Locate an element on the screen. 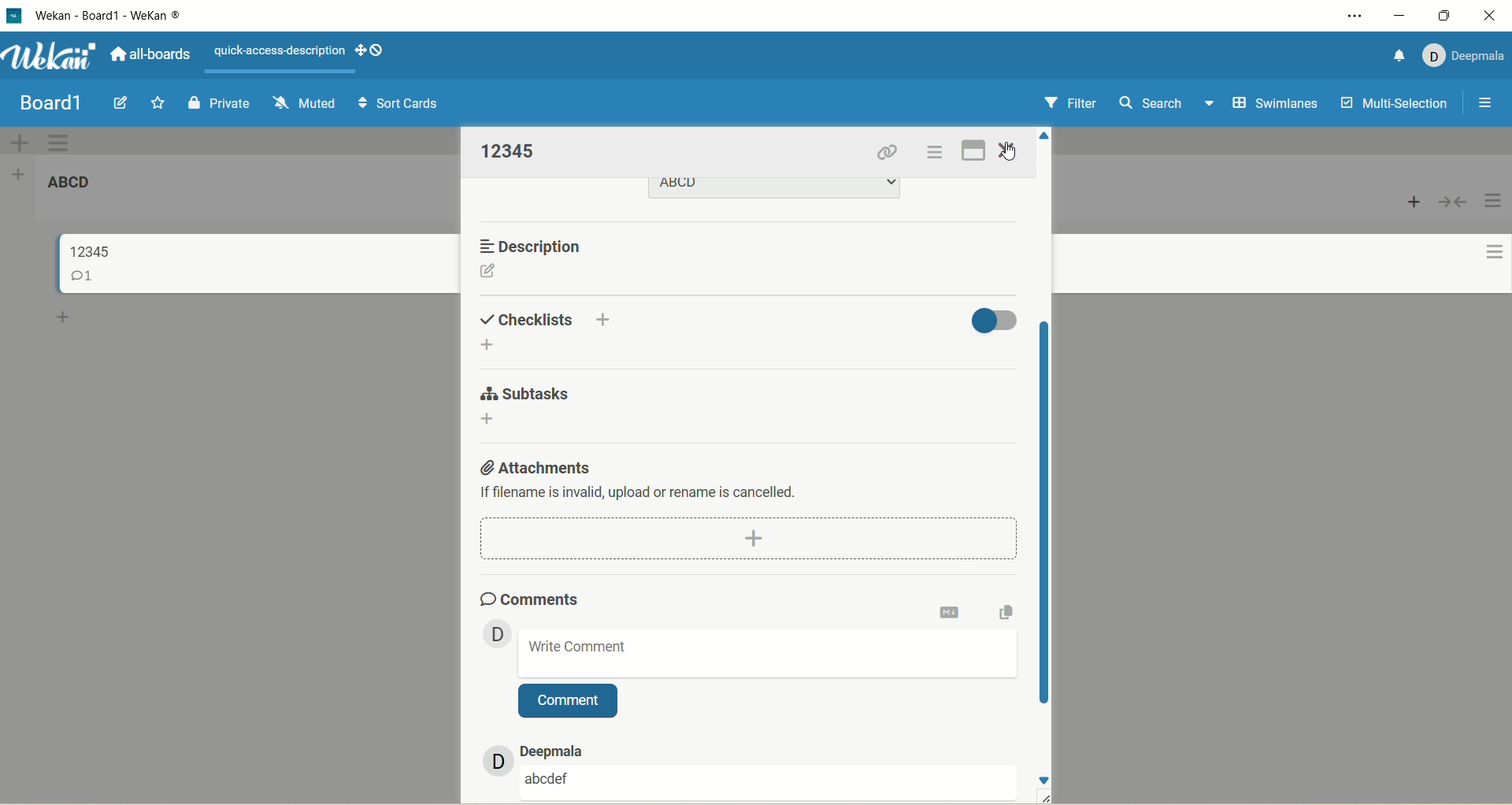 This screenshot has height=805, width=1512. notification is located at coordinates (1393, 54).